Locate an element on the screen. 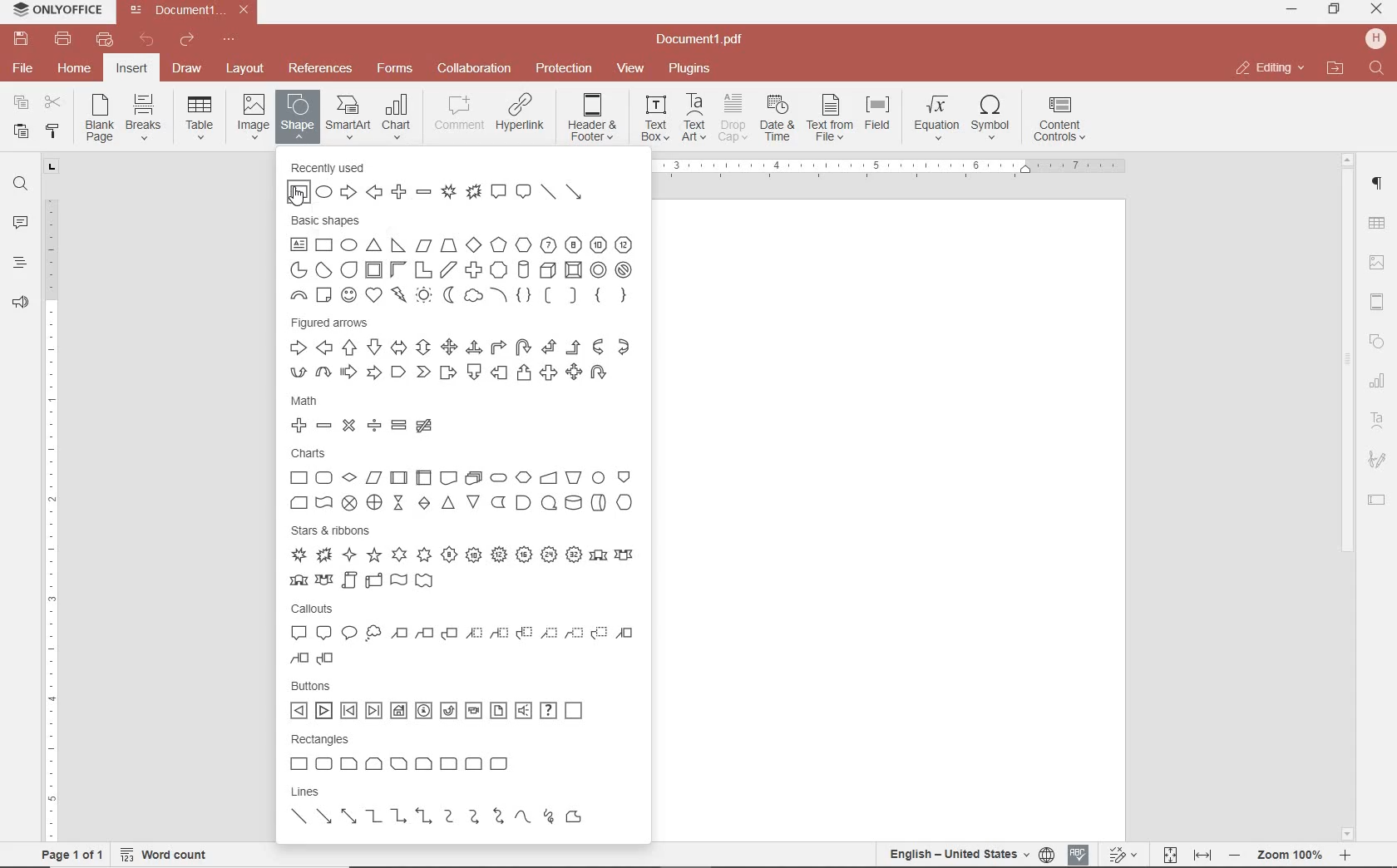 Image resolution: width=1397 pixels, height=868 pixels. CALLOUTS is located at coordinates (462, 635).